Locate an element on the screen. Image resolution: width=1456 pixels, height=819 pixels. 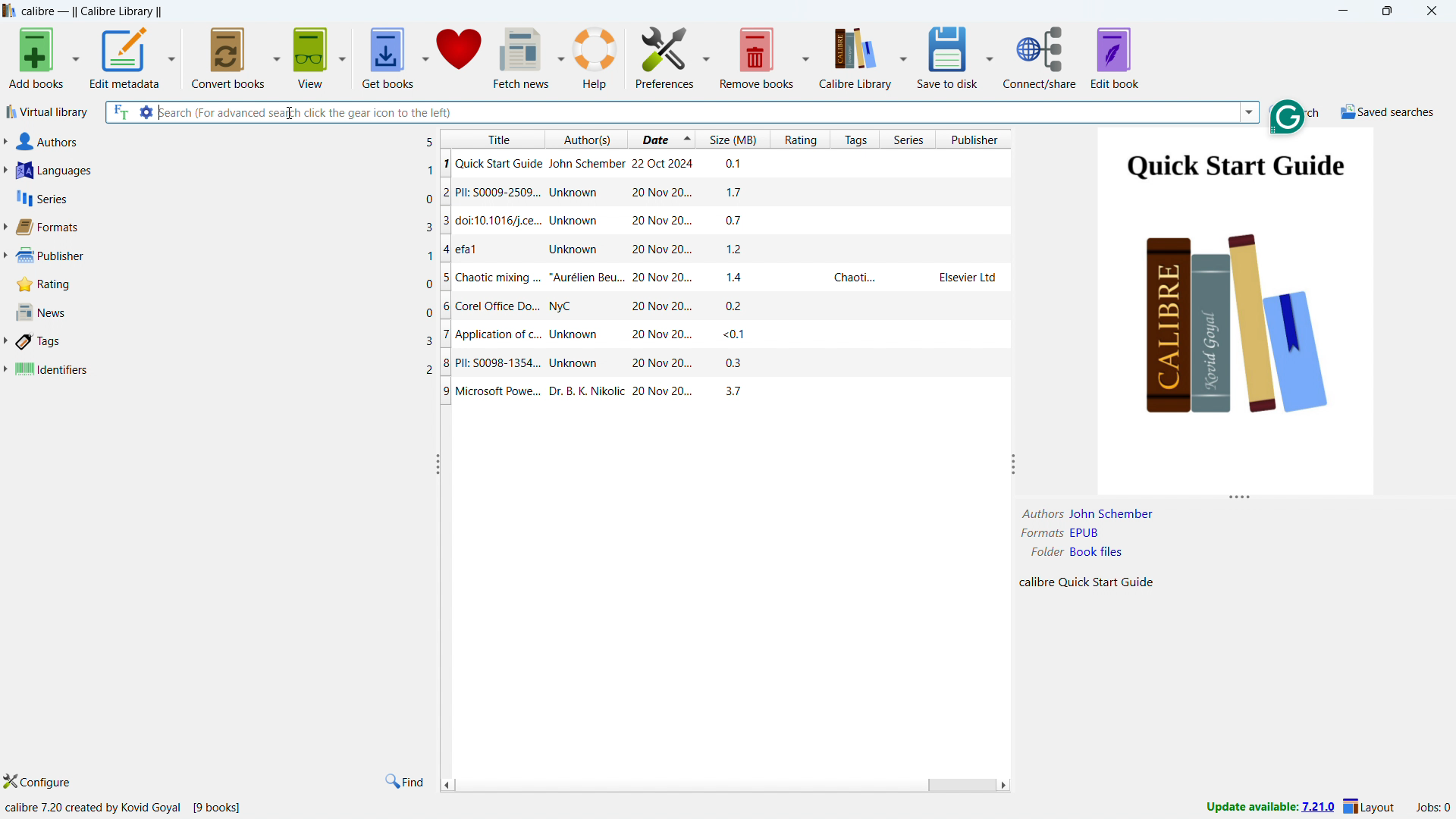
help is located at coordinates (596, 57).